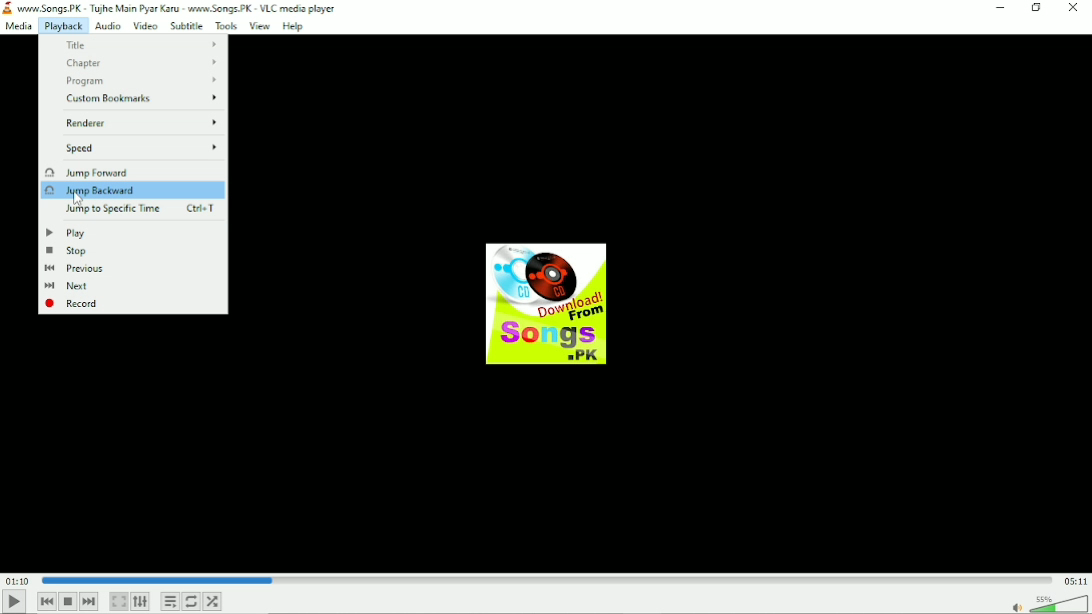 The height and width of the screenshot is (614, 1092). What do you see at coordinates (545, 304) in the screenshot?
I see `Audio track` at bounding box center [545, 304].